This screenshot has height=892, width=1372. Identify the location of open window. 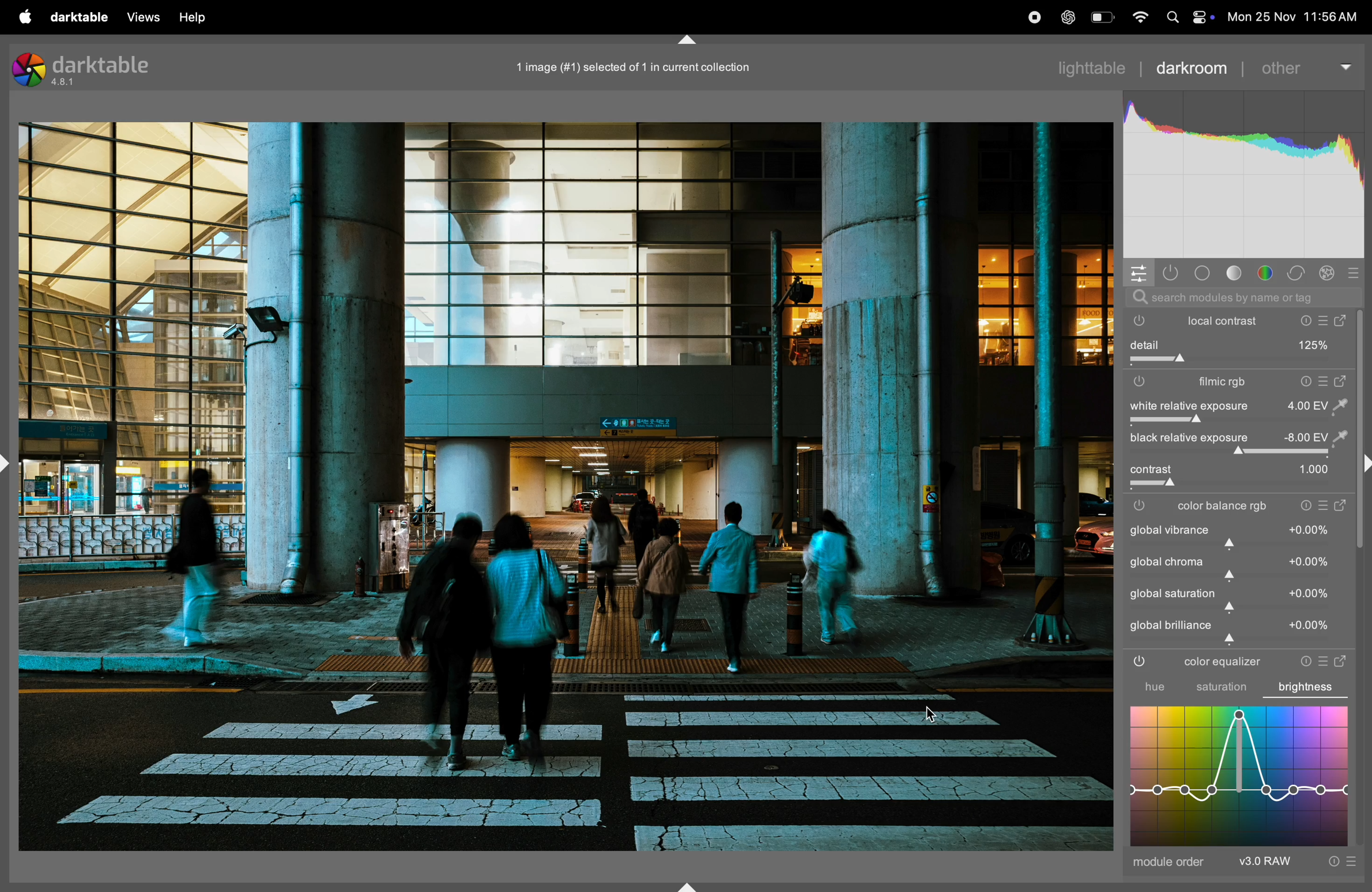
(1343, 659).